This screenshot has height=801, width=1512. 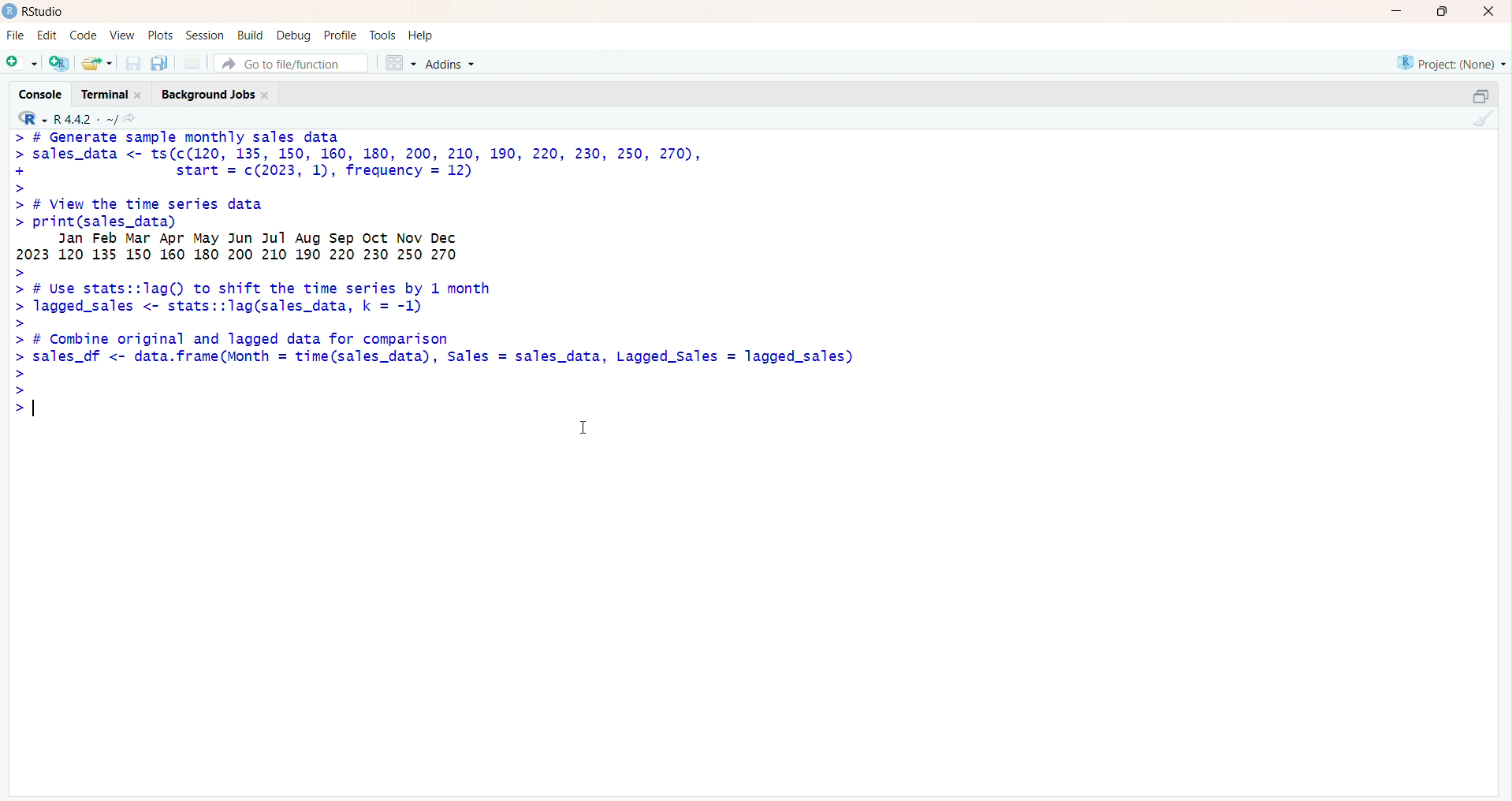 What do you see at coordinates (1482, 120) in the screenshot?
I see `clear console` at bounding box center [1482, 120].